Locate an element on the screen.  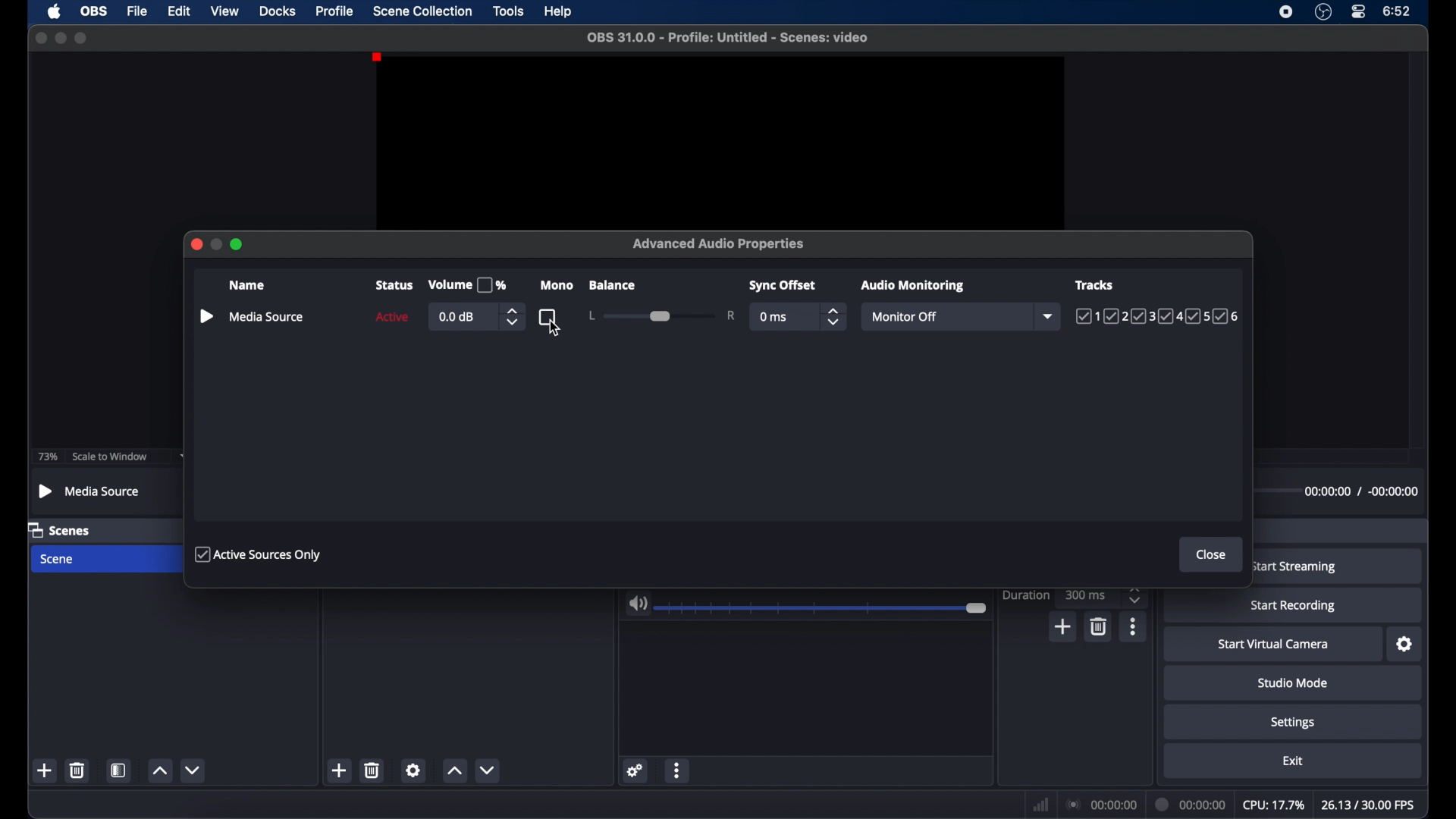
studio mode is located at coordinates (1292, 683).